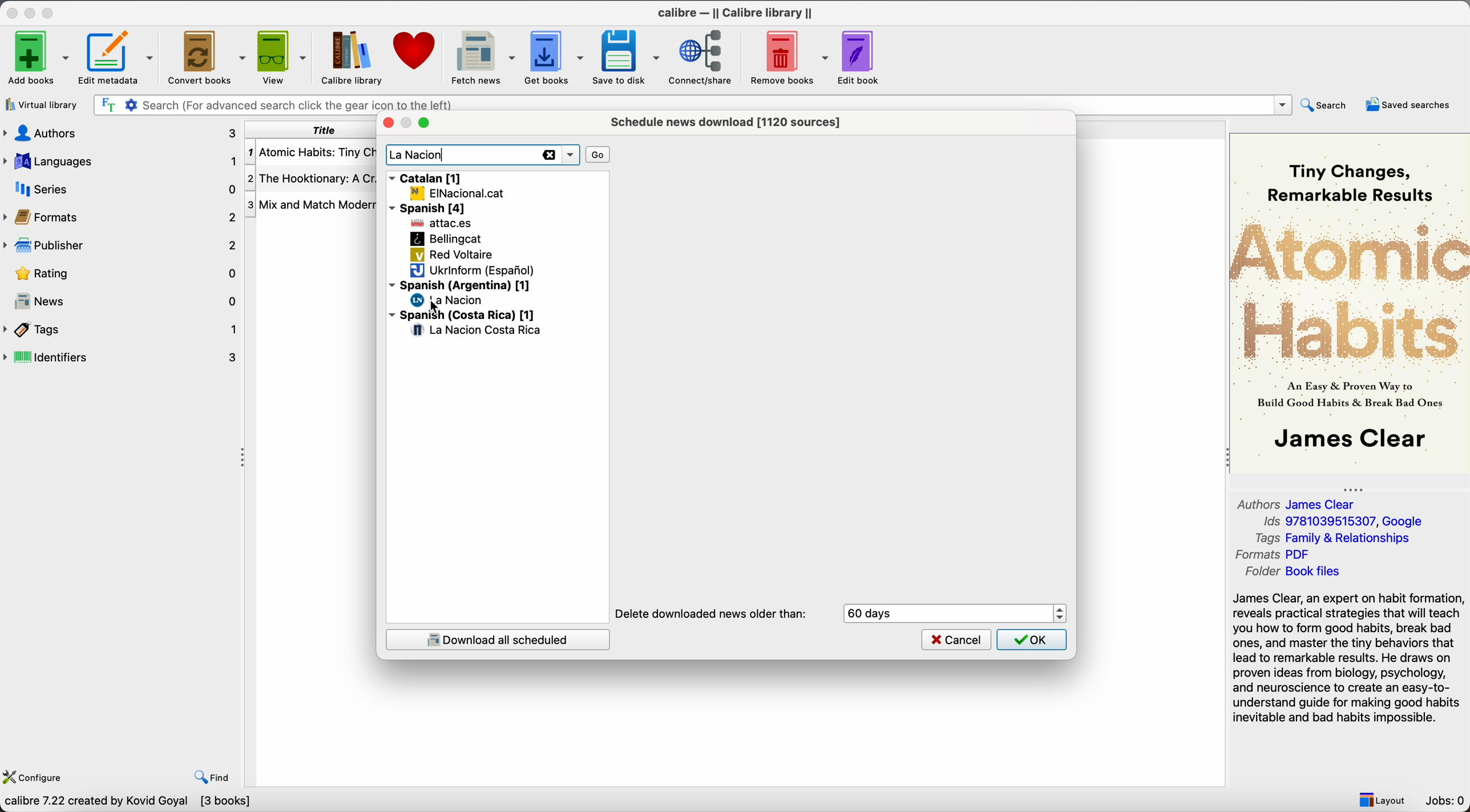 The width and height of the screenshot is (1470, 812). I want to click on 60 days, so click(875, 613).